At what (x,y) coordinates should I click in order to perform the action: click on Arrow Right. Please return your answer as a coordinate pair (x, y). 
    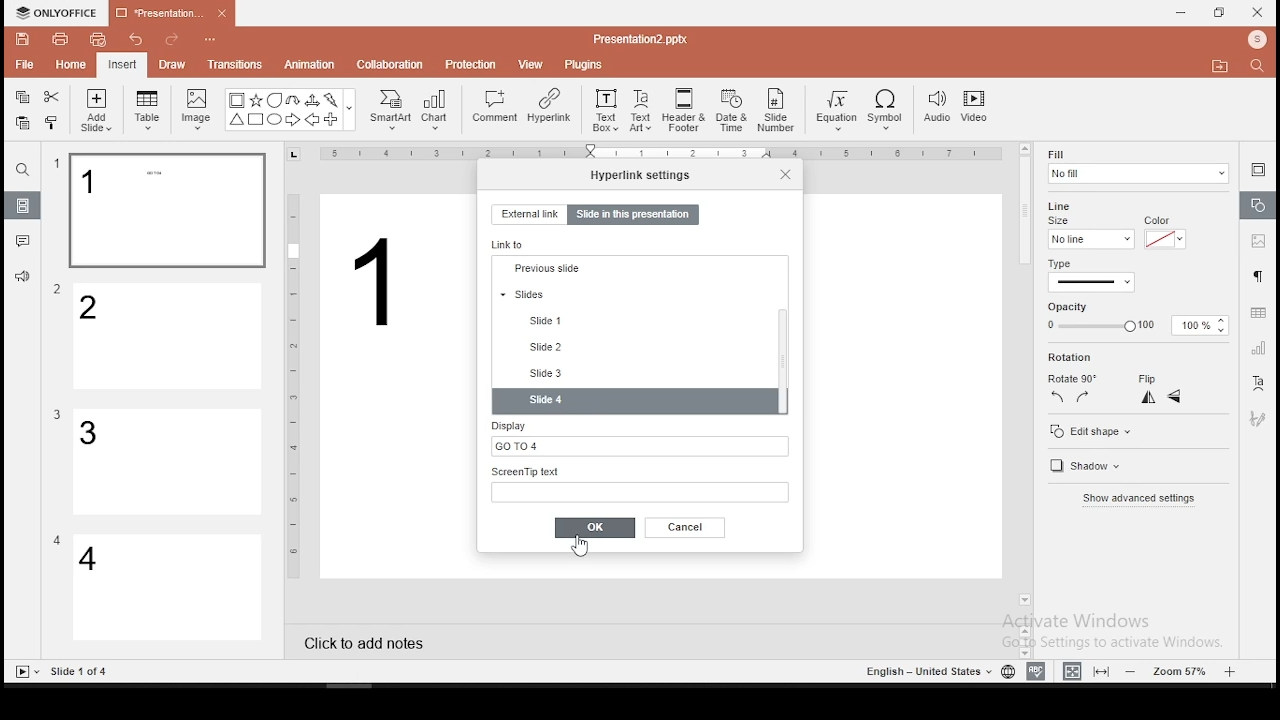
    Looking at the image, I should click on (294, 121).